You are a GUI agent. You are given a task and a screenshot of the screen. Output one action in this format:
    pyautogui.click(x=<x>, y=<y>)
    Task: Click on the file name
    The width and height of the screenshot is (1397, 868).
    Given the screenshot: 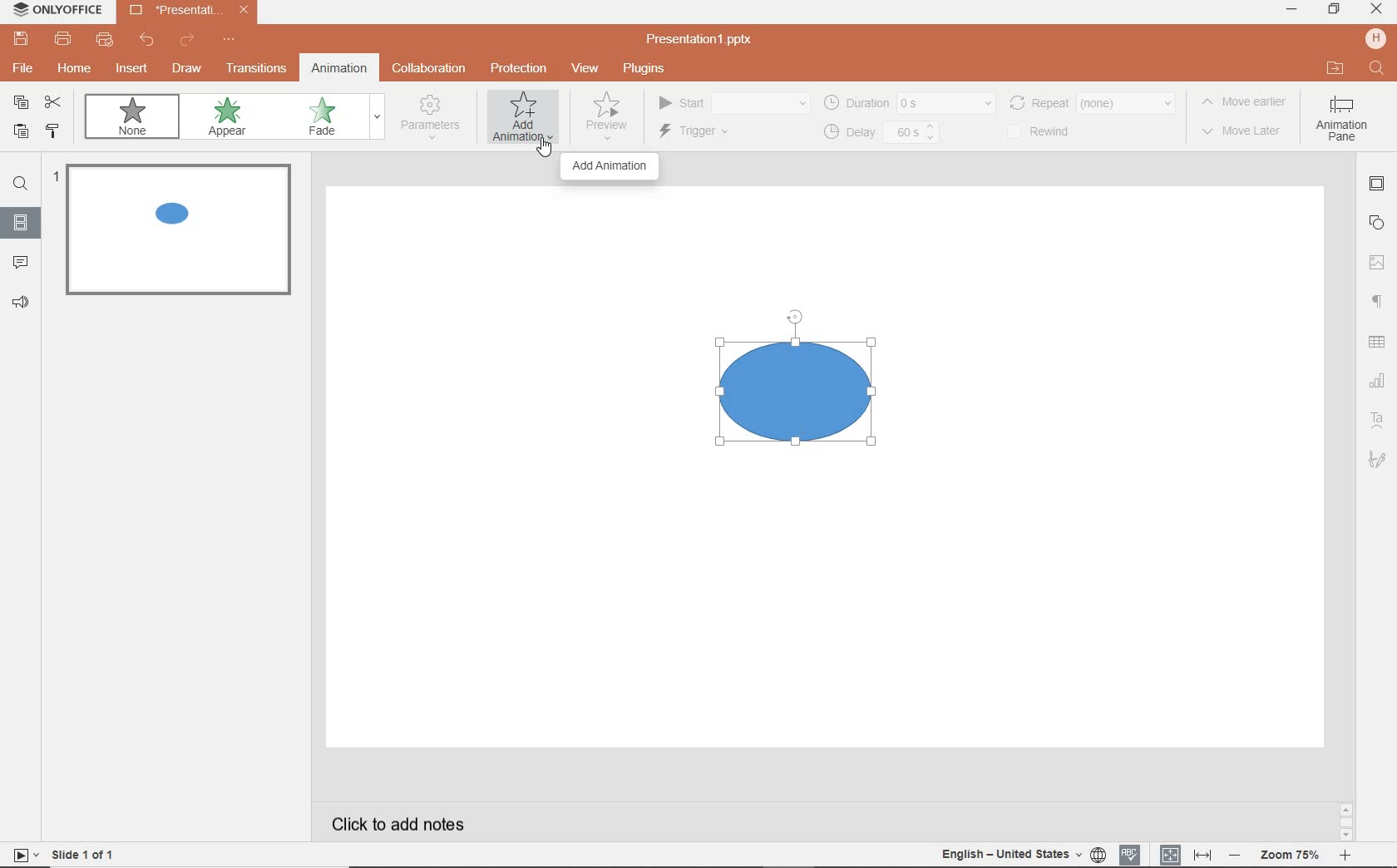 What is the action you would take?
    pyautogui.click(x=190, y=12)
    